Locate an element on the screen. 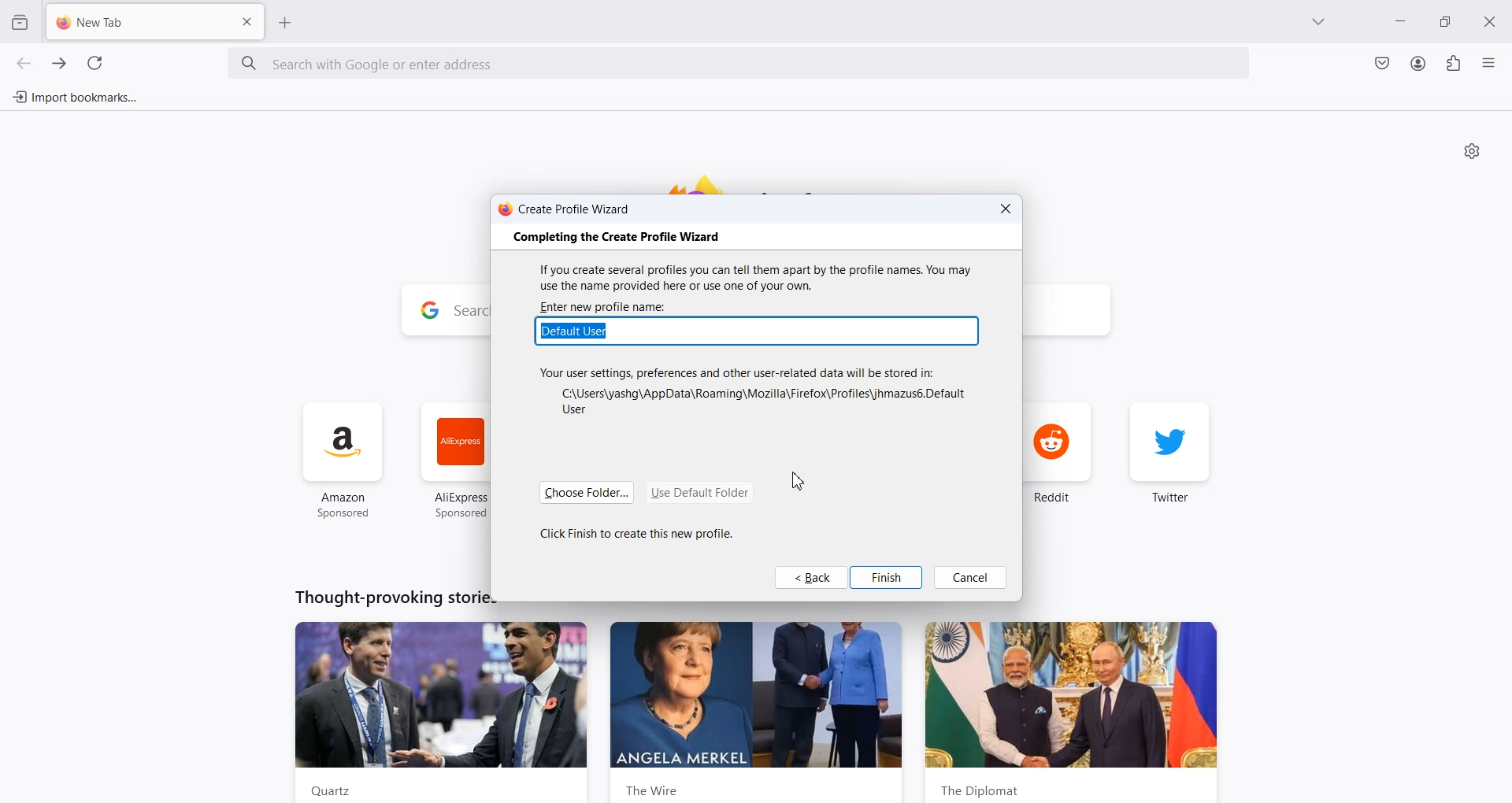  twiter is located at coordinates (1173, 450).